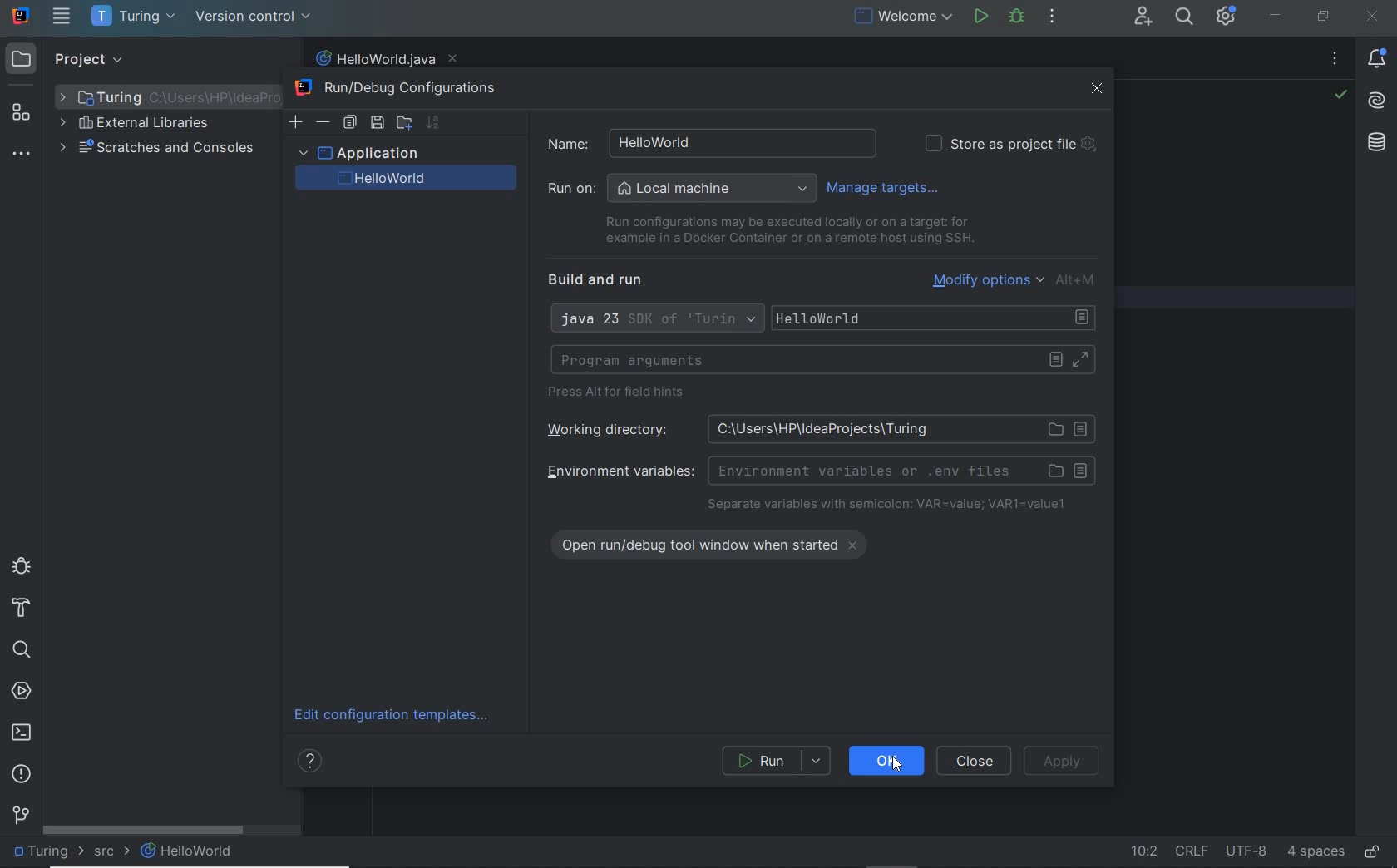  What do you see at coordinates (111, 854) in the screenshot?
I see `src` at bounding box center [111, 854].